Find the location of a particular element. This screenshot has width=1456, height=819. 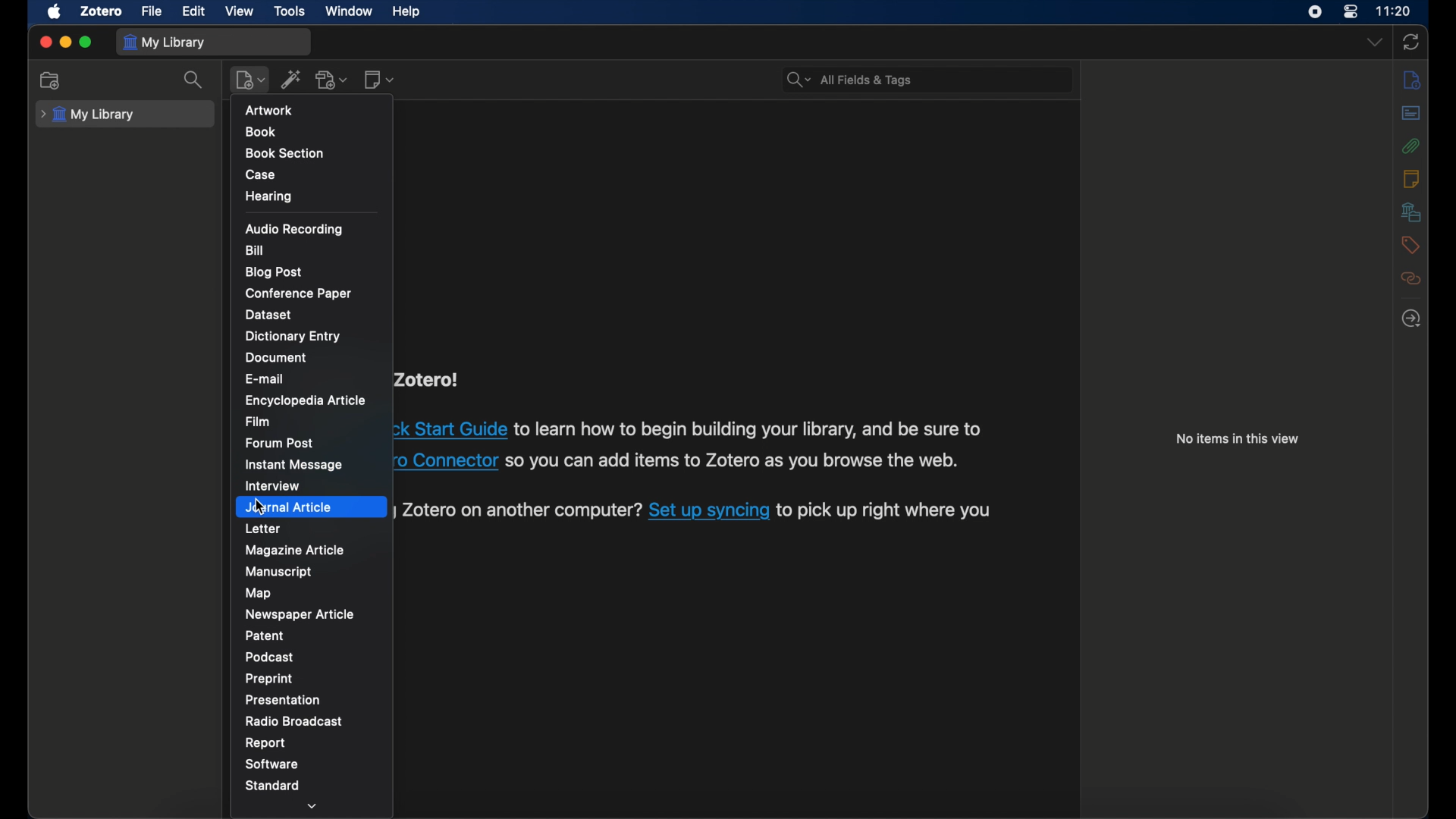

window is located at coordinates (350, 12).